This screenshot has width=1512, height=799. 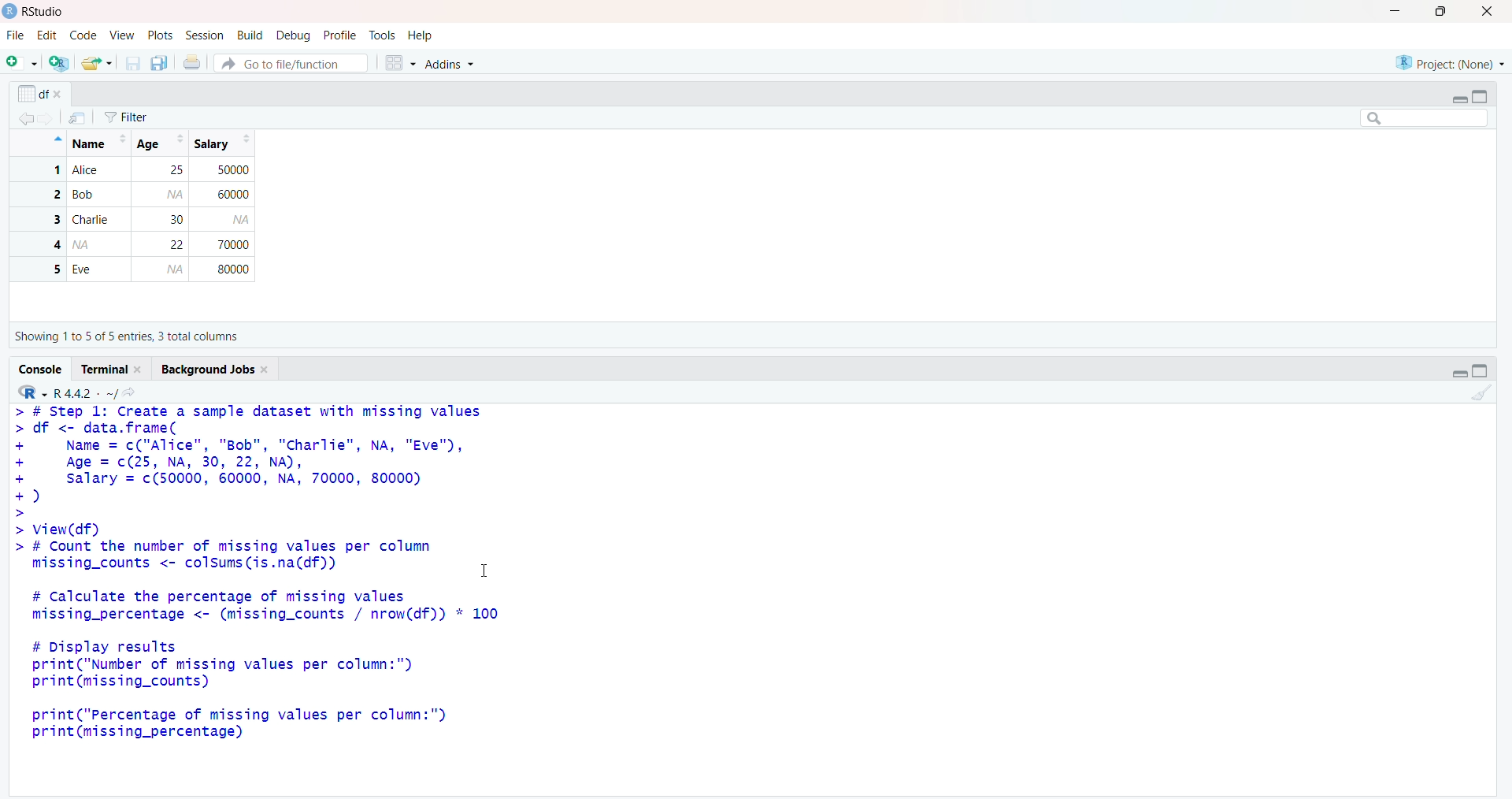 What do you see at coordinates (132, 64) in the screenshot?
I see `Save current document (Ctrl + S)` at bounding box center [132, 64].